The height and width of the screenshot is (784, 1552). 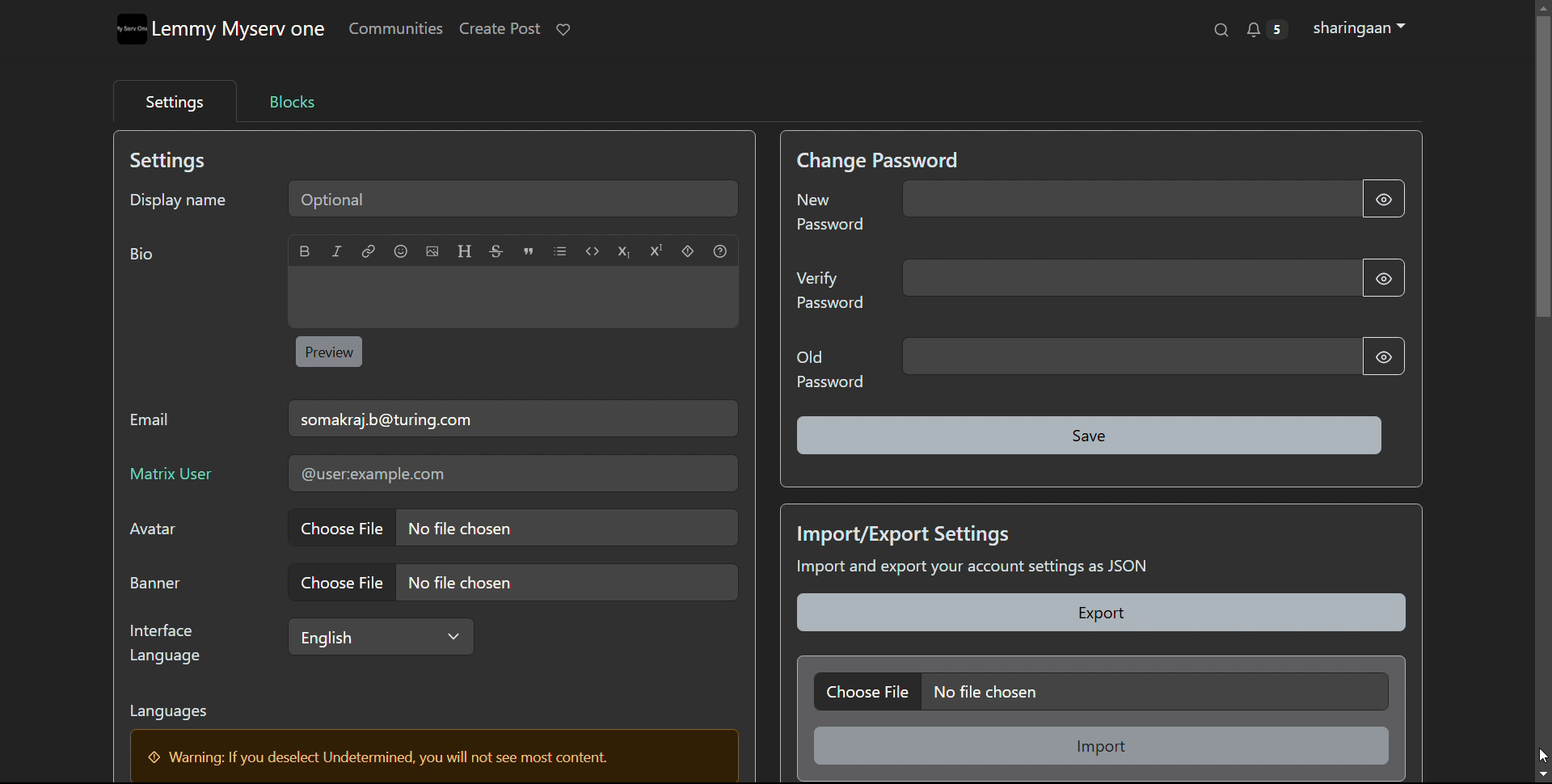 I want to click on Banner, so click(x=155, y=582).